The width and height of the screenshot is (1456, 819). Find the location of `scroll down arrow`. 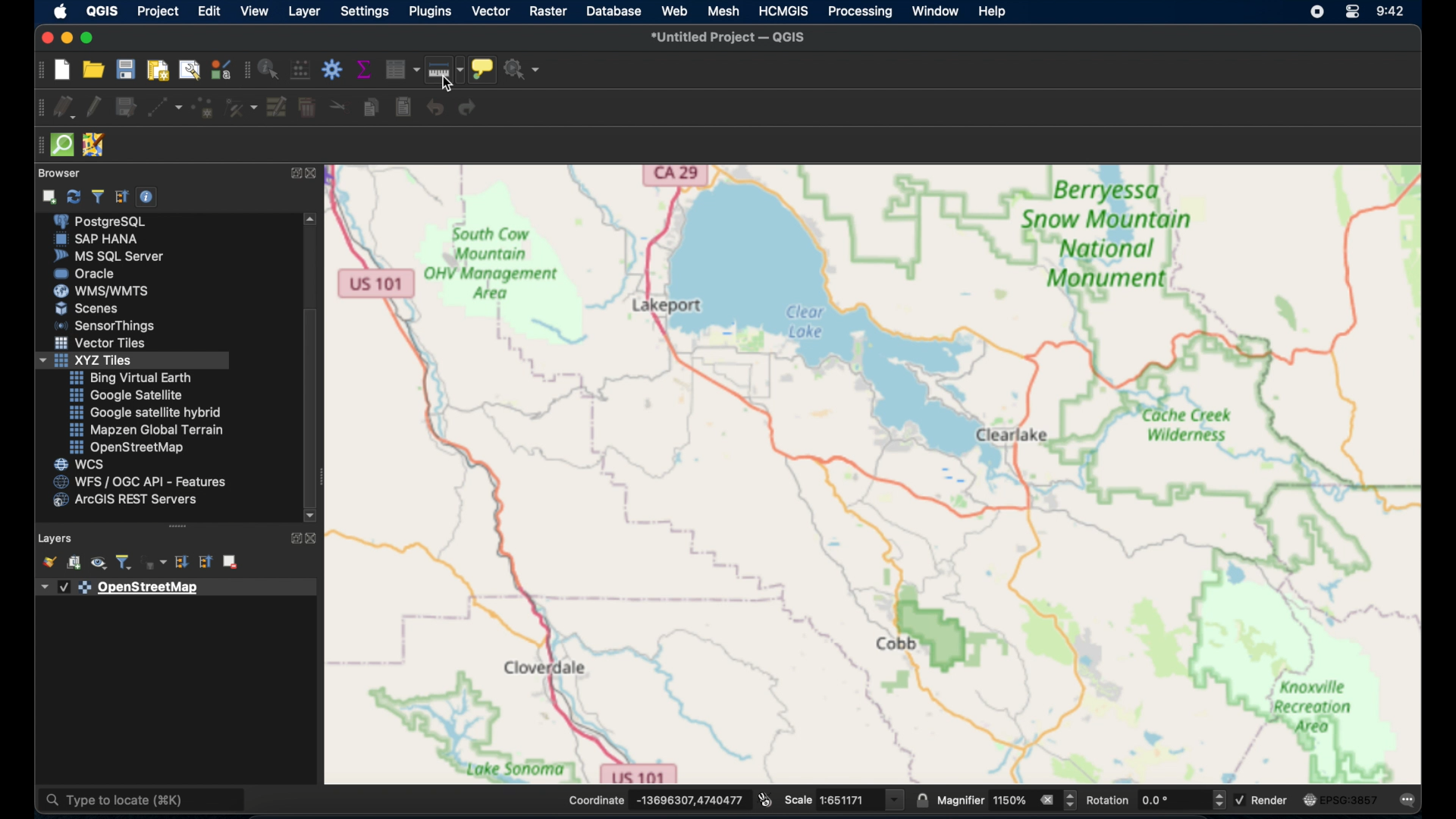

scroll down arrow is located at coordinates (310, 515).